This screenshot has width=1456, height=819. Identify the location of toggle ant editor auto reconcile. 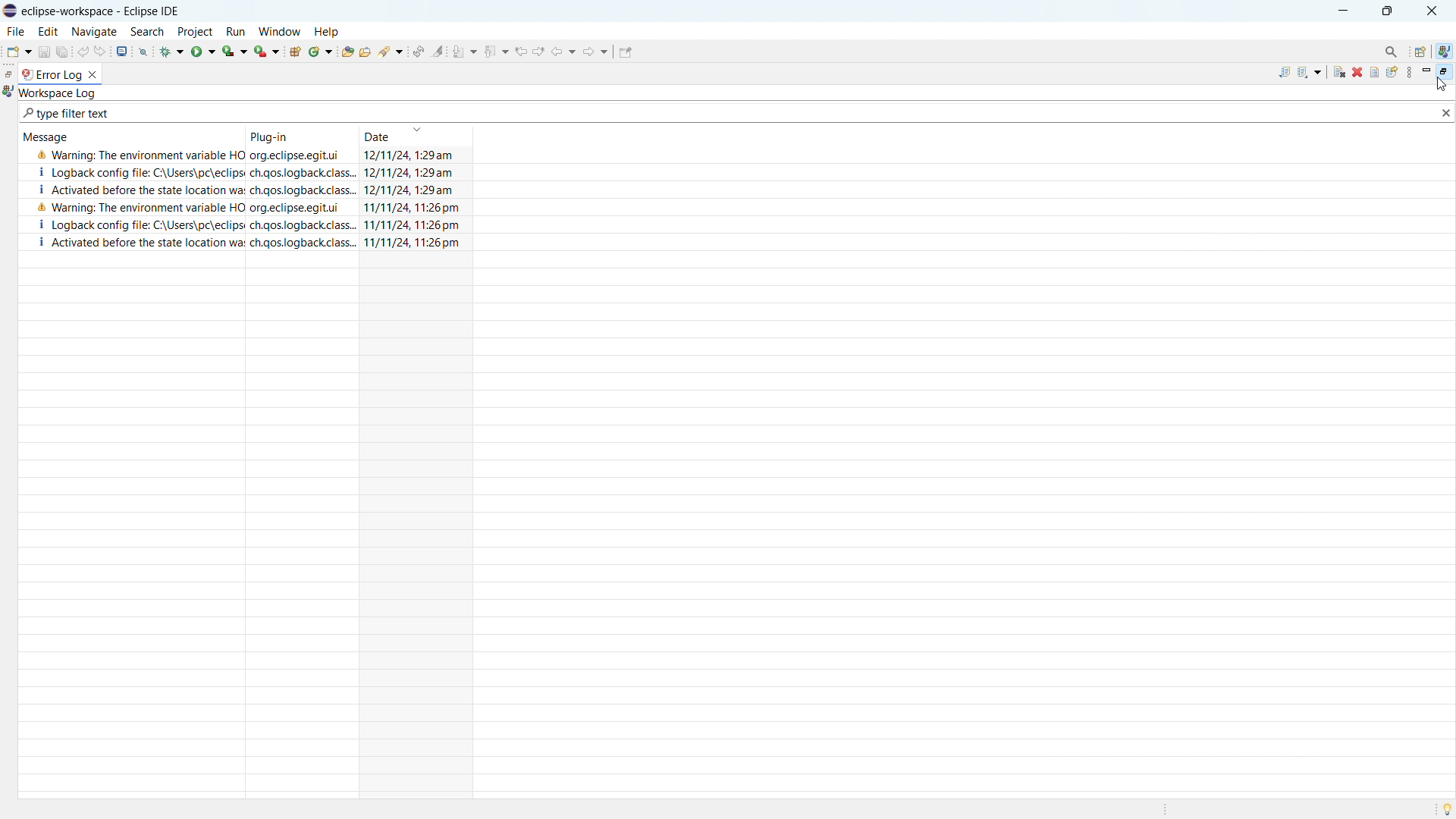
(420, 51).